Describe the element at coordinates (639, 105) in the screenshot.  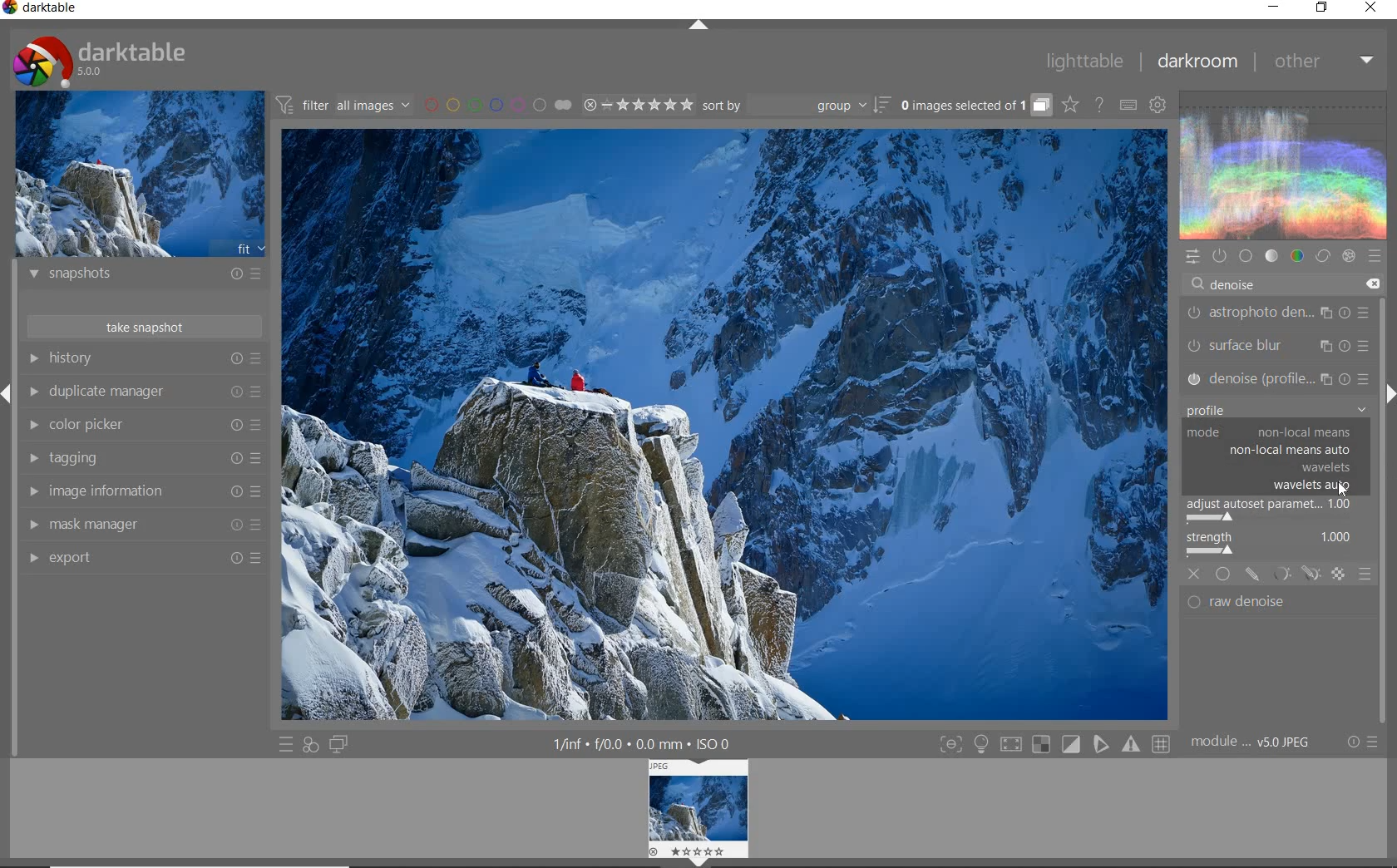
I see `range ratings for selected images` at that location.